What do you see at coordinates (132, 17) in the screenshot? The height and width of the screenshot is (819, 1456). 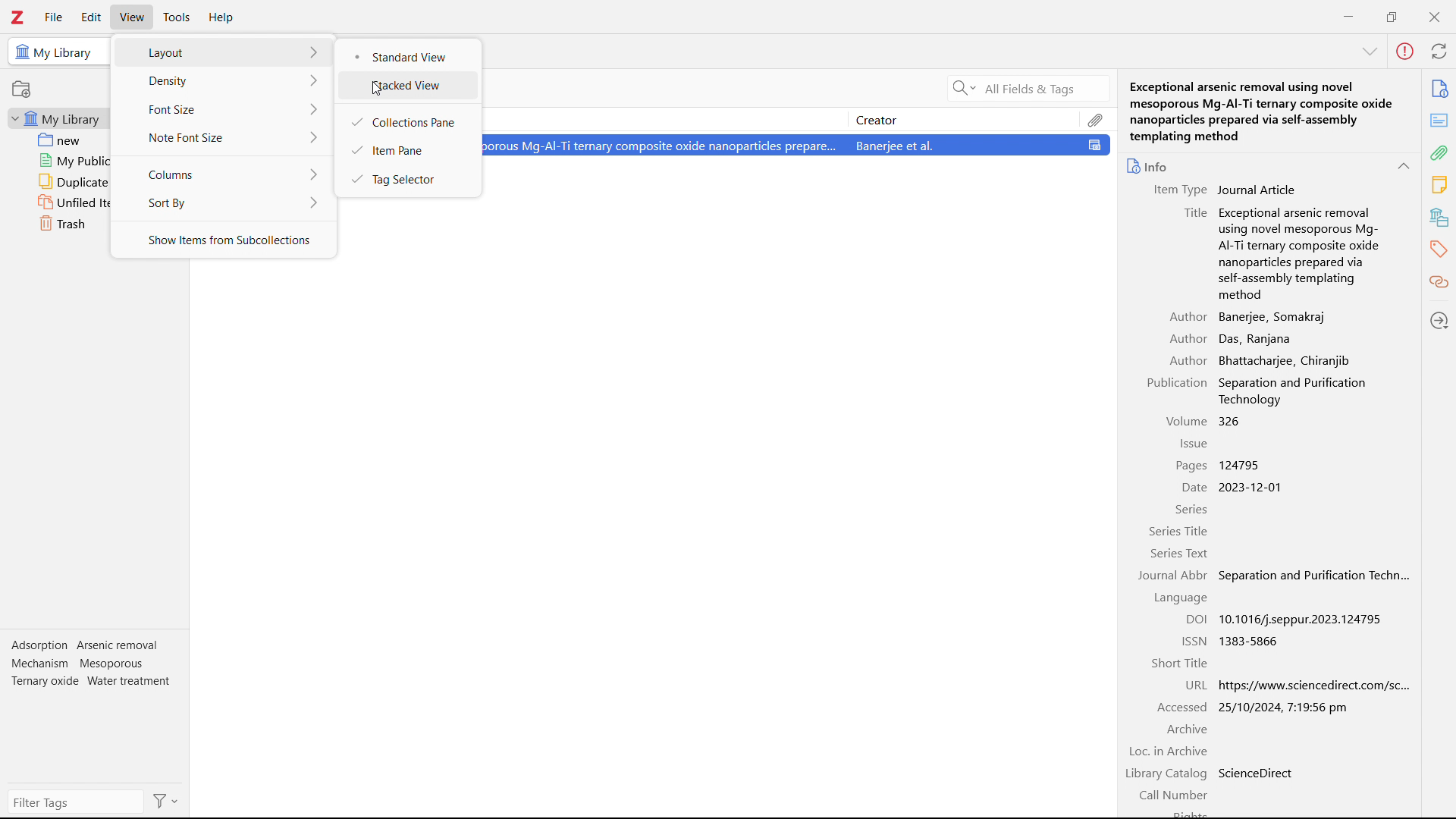 I see `view` at bounding box center [132, 17].